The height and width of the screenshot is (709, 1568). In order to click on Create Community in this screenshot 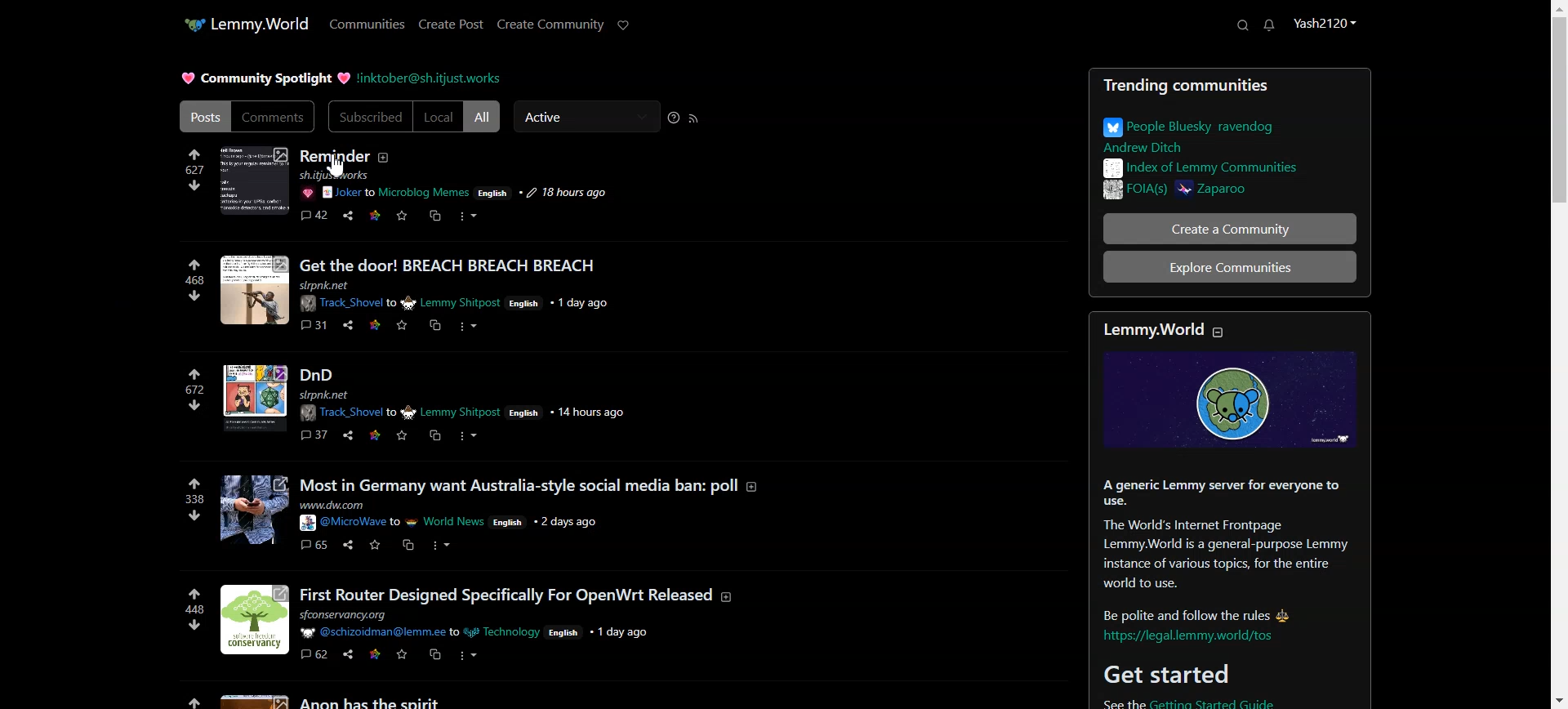, I will do `click(550, 25)`.